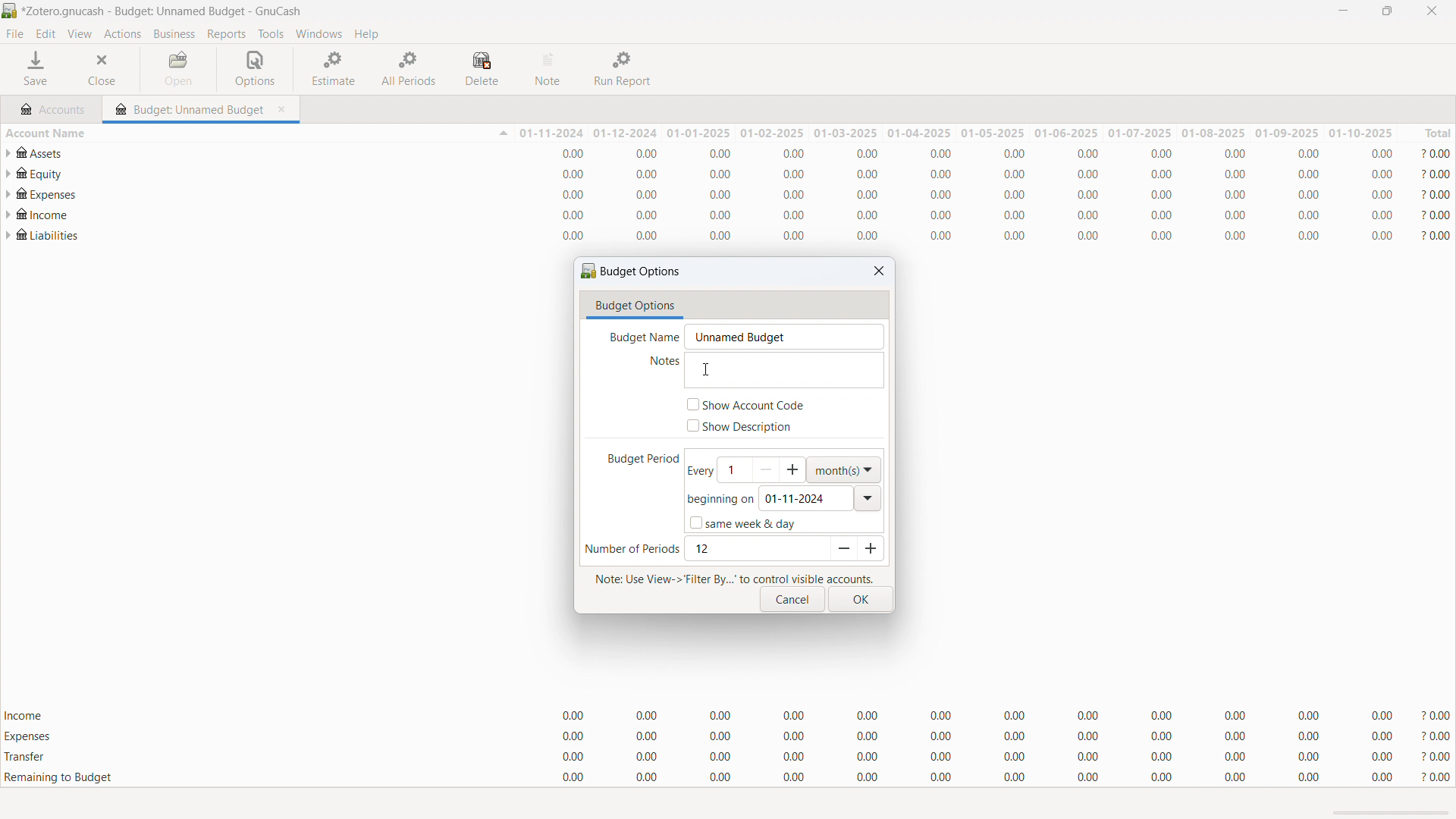 The width and height of the screenshot is (1456, 819). I want to click on expand subaccounts, so click(9, 193).